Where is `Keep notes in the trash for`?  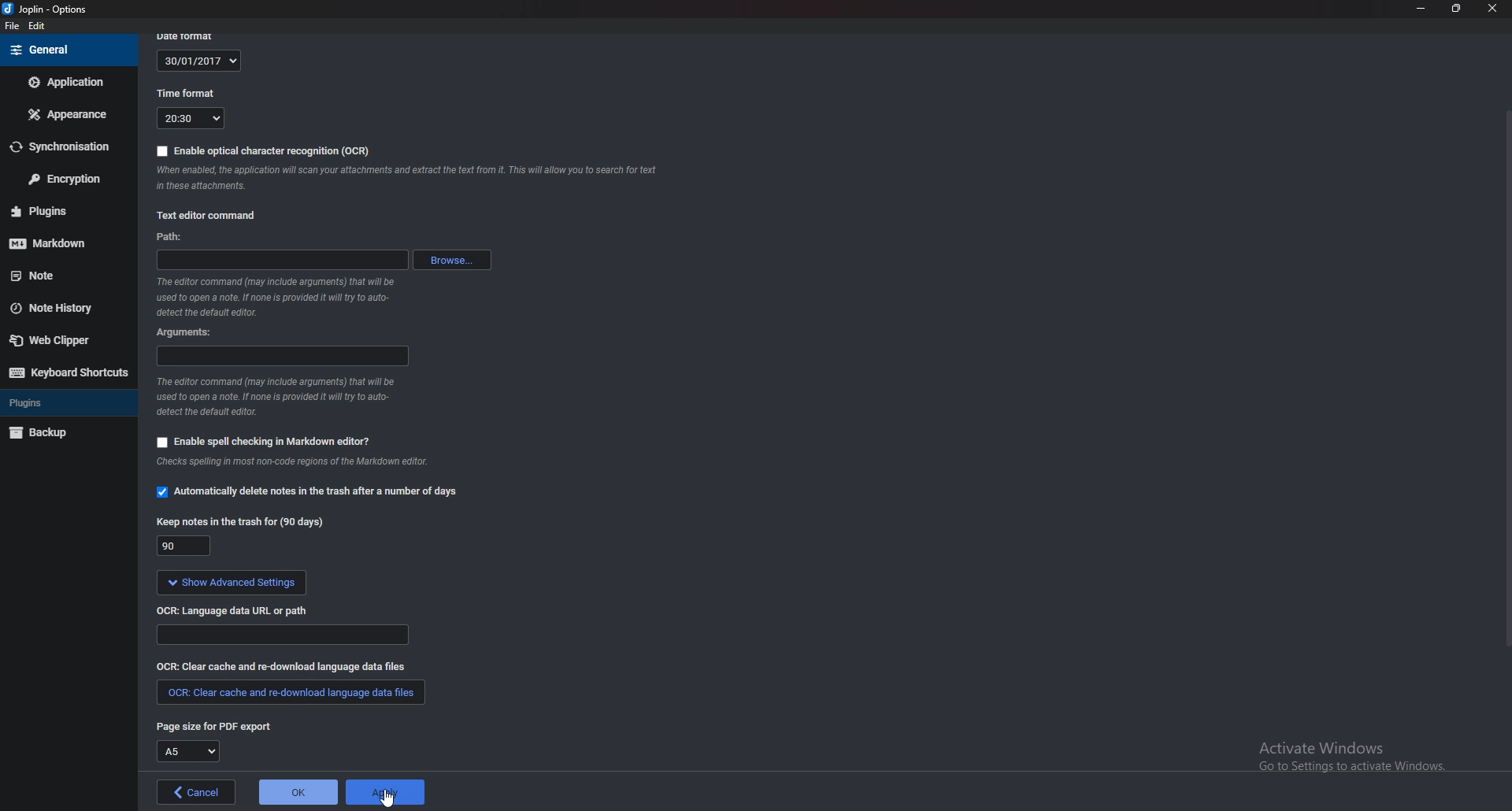
Keep notes in the trash for is located at coordinates (240, 524).